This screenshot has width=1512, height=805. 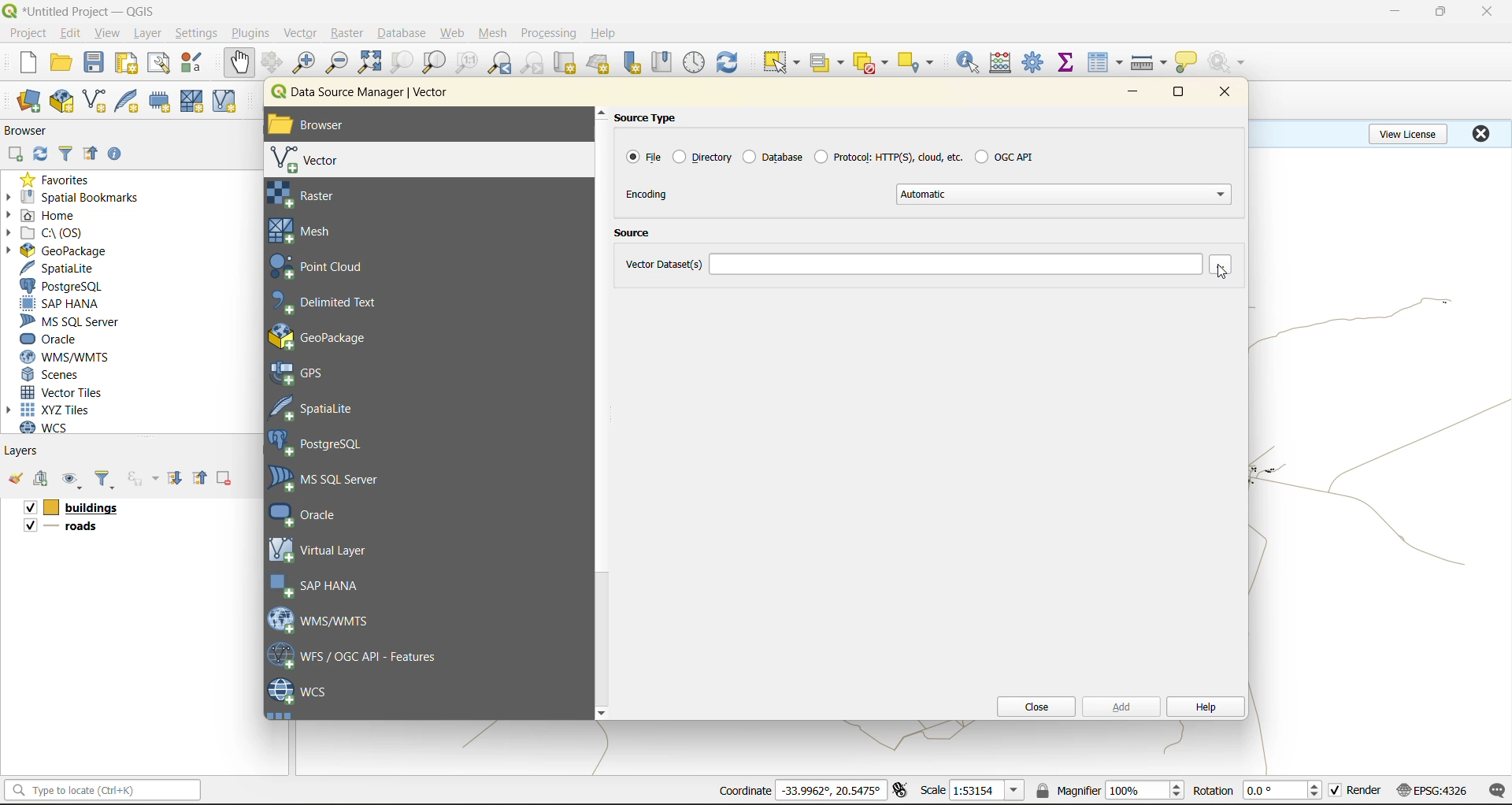 What do you see at coordinates (921, 61) in the screenshot?
I see `select location` at bounding box center [921, 61].